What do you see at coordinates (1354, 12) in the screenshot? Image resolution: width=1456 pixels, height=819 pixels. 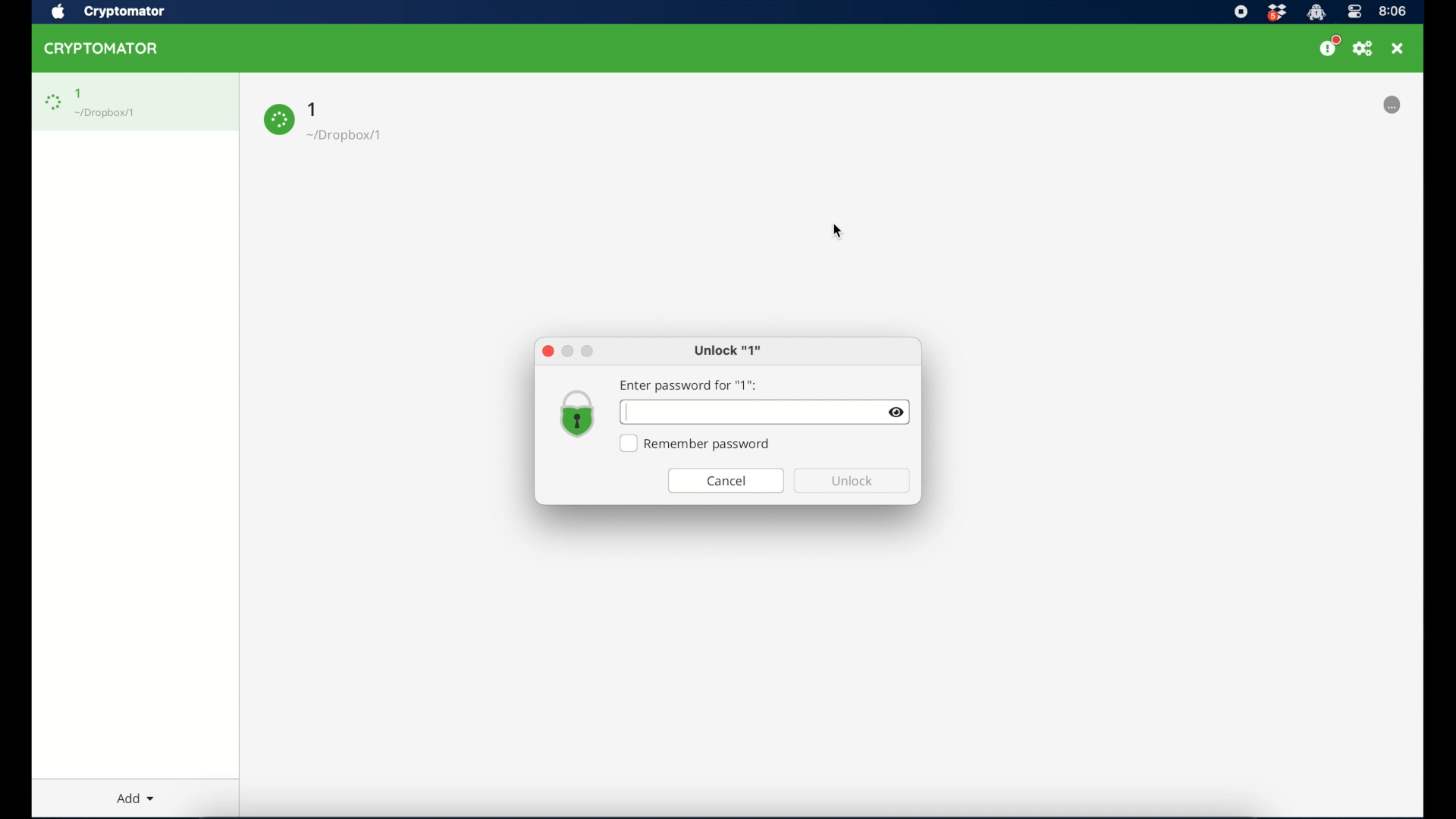 I see `control center` at bounding box center [1354, 12].